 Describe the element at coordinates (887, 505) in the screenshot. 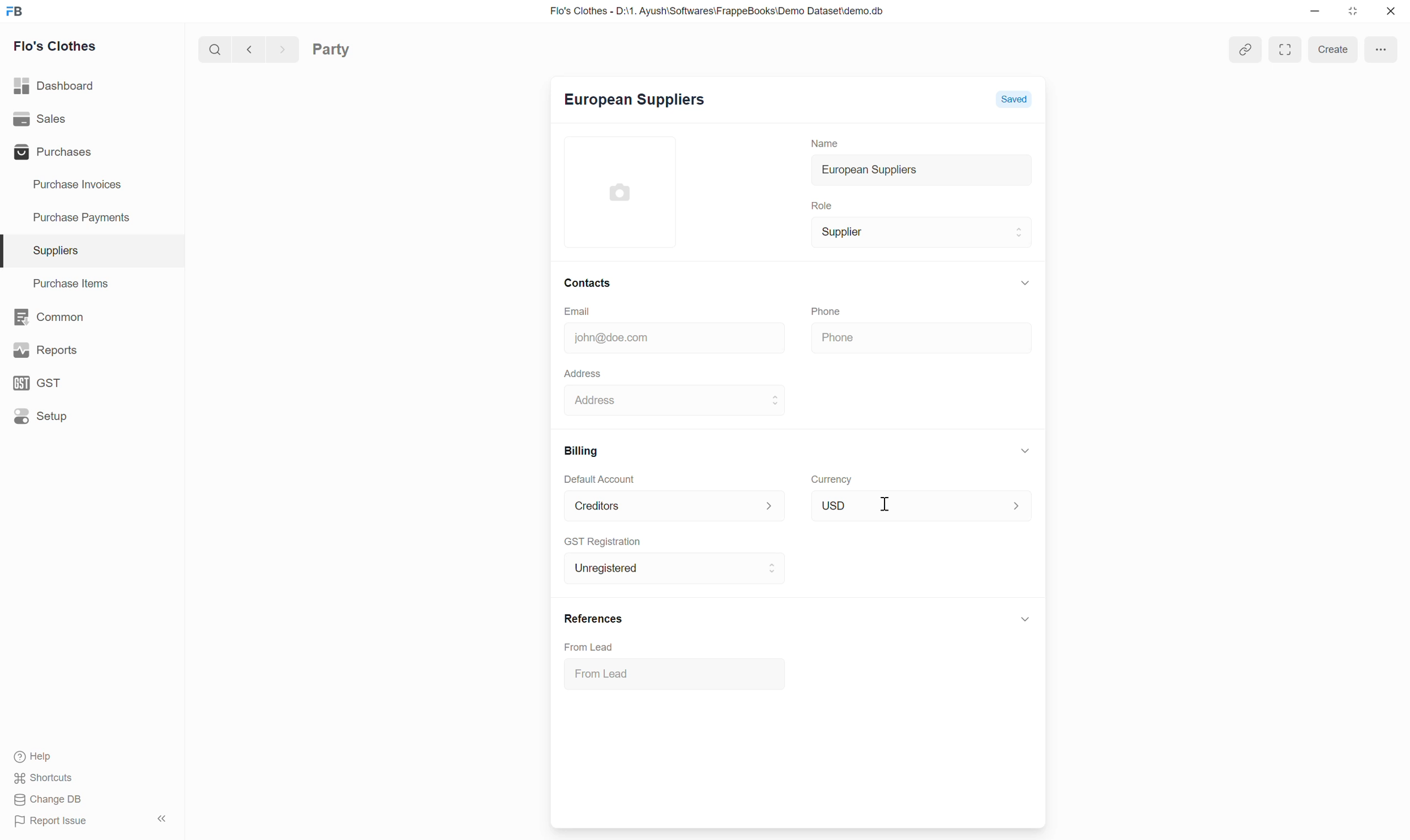

I see `cursor` at that location.